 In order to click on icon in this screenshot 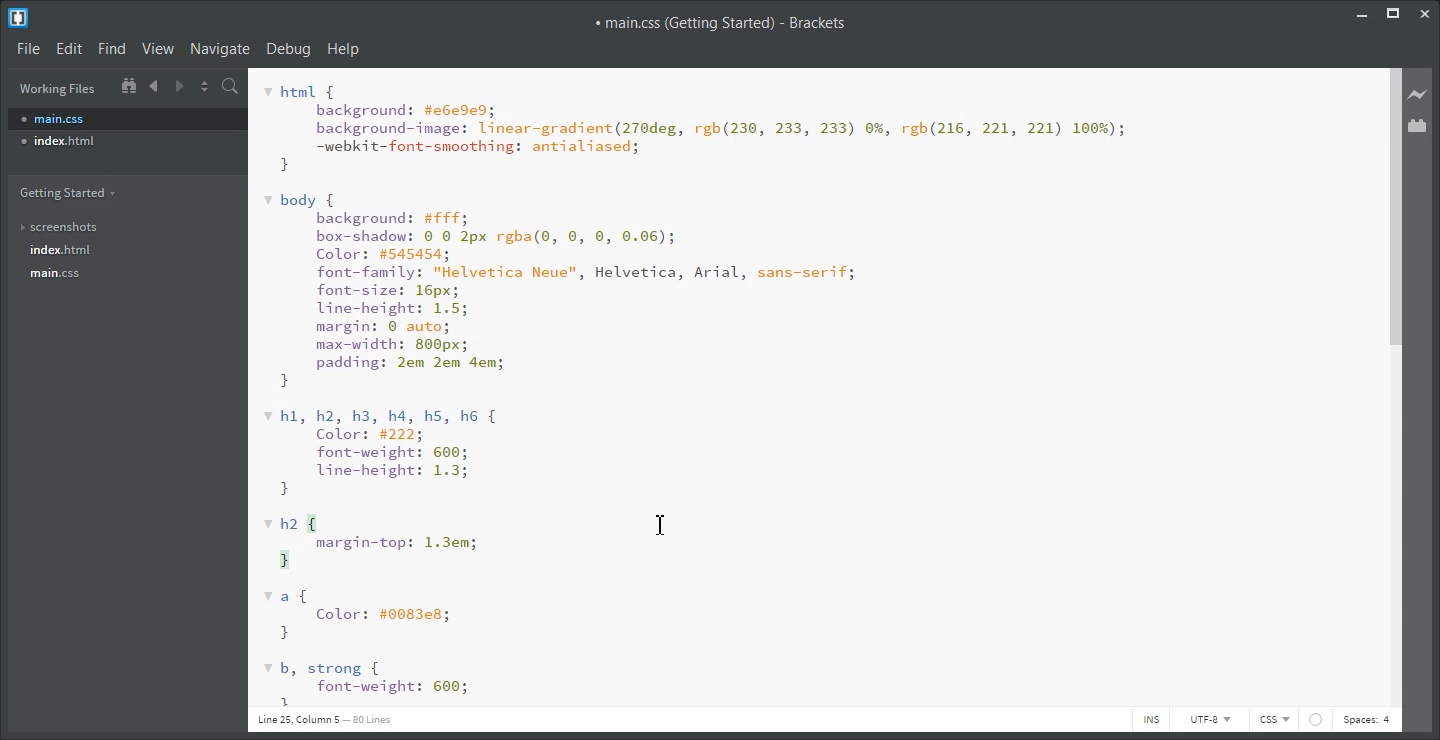, I will do `click(1315, 719)`.